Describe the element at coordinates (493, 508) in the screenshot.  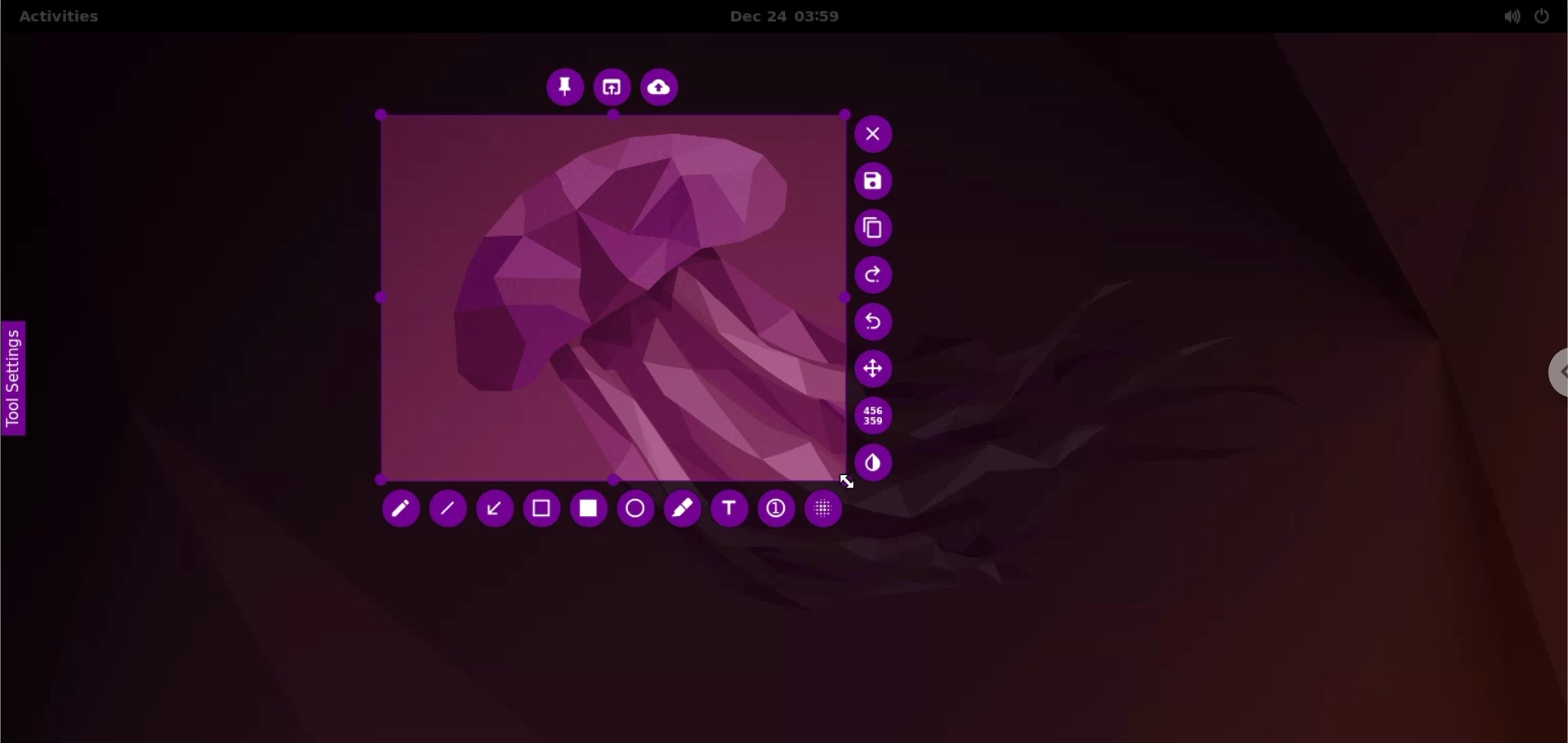
I see `arrow` at that location.